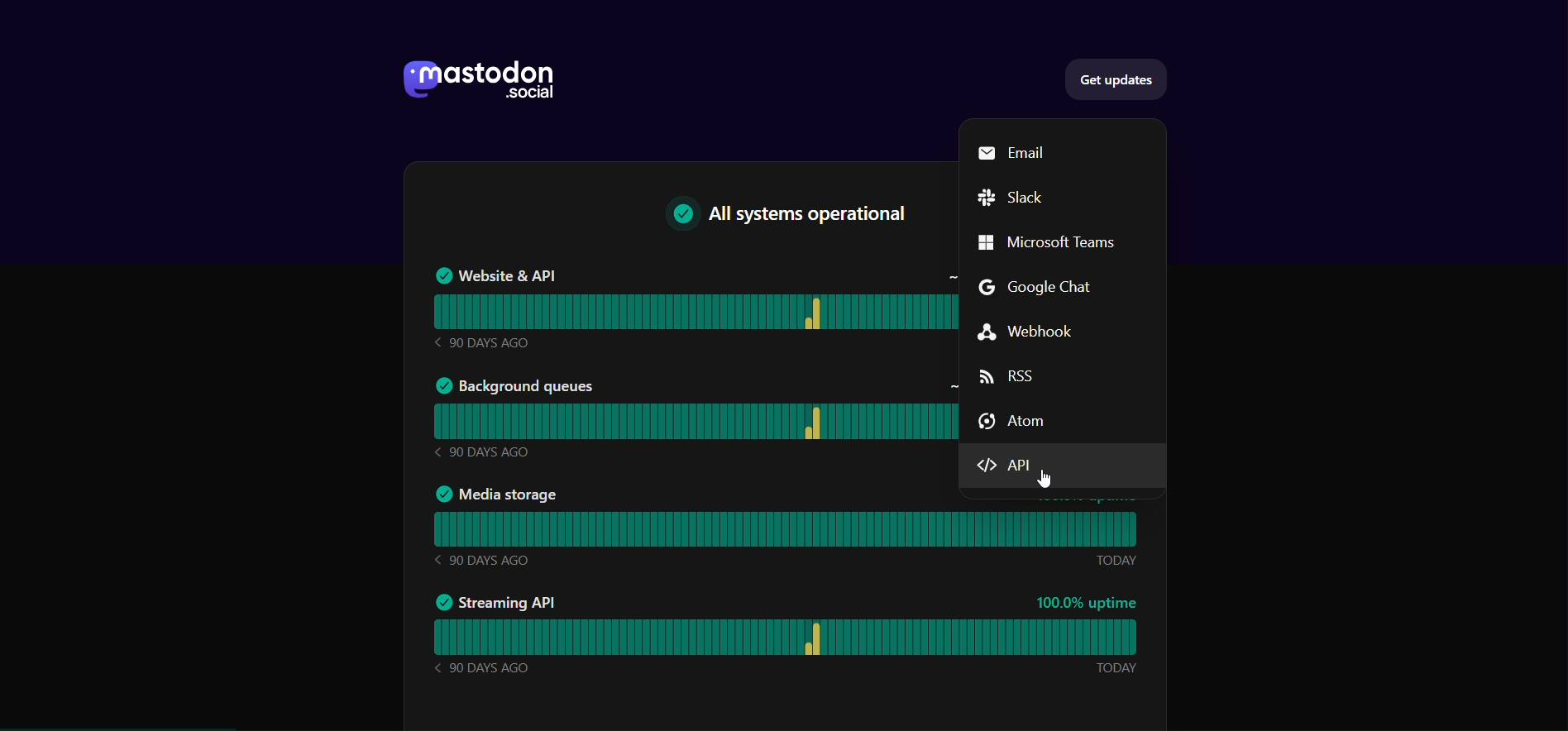 The image size is (1568, 731). What do you see at coordinates (1021, 465) in the screenshot?
I see `API` at bounding box center [1021, 465].